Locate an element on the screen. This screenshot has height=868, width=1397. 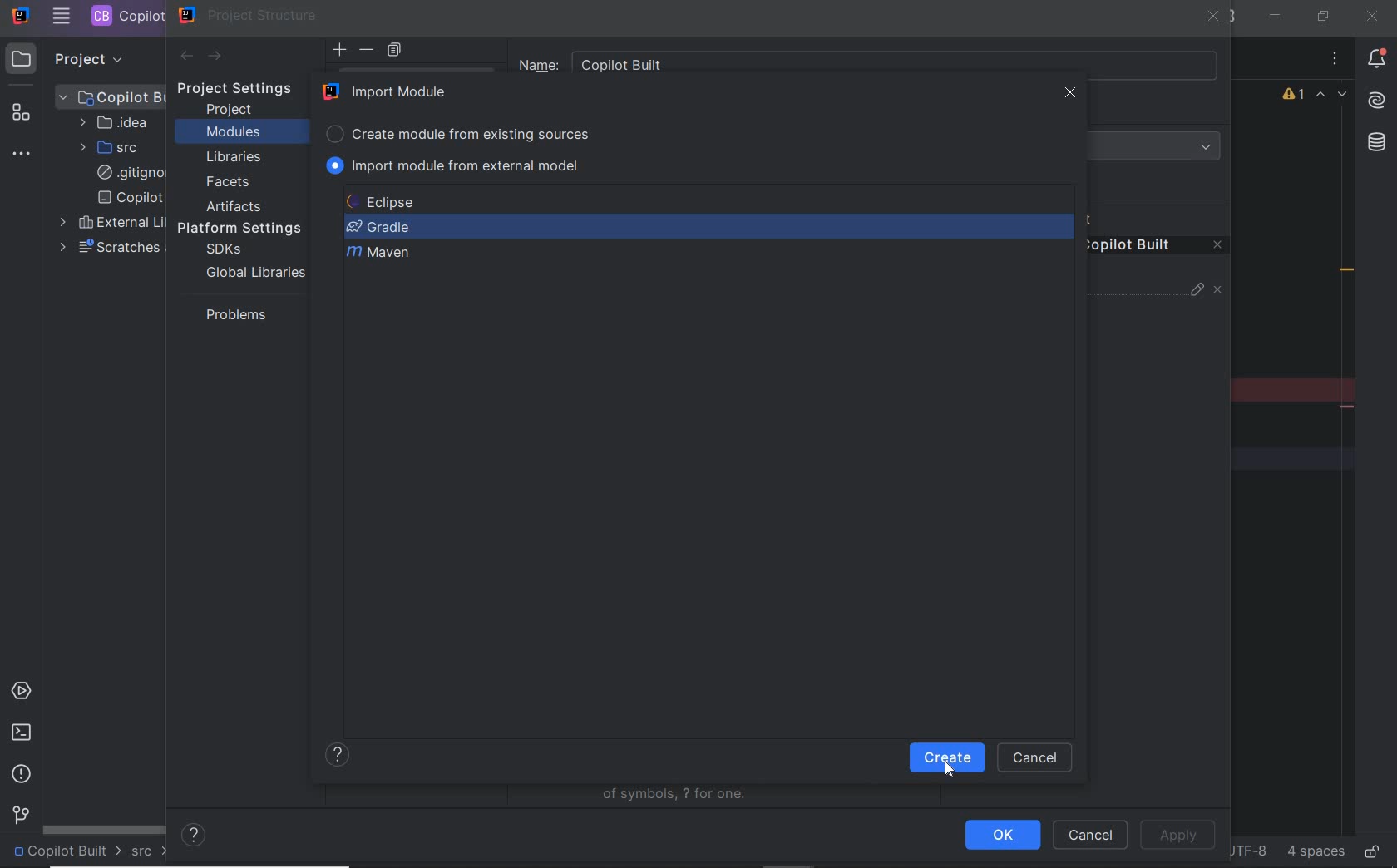
PROJECT is located at coordinates (74, 58).